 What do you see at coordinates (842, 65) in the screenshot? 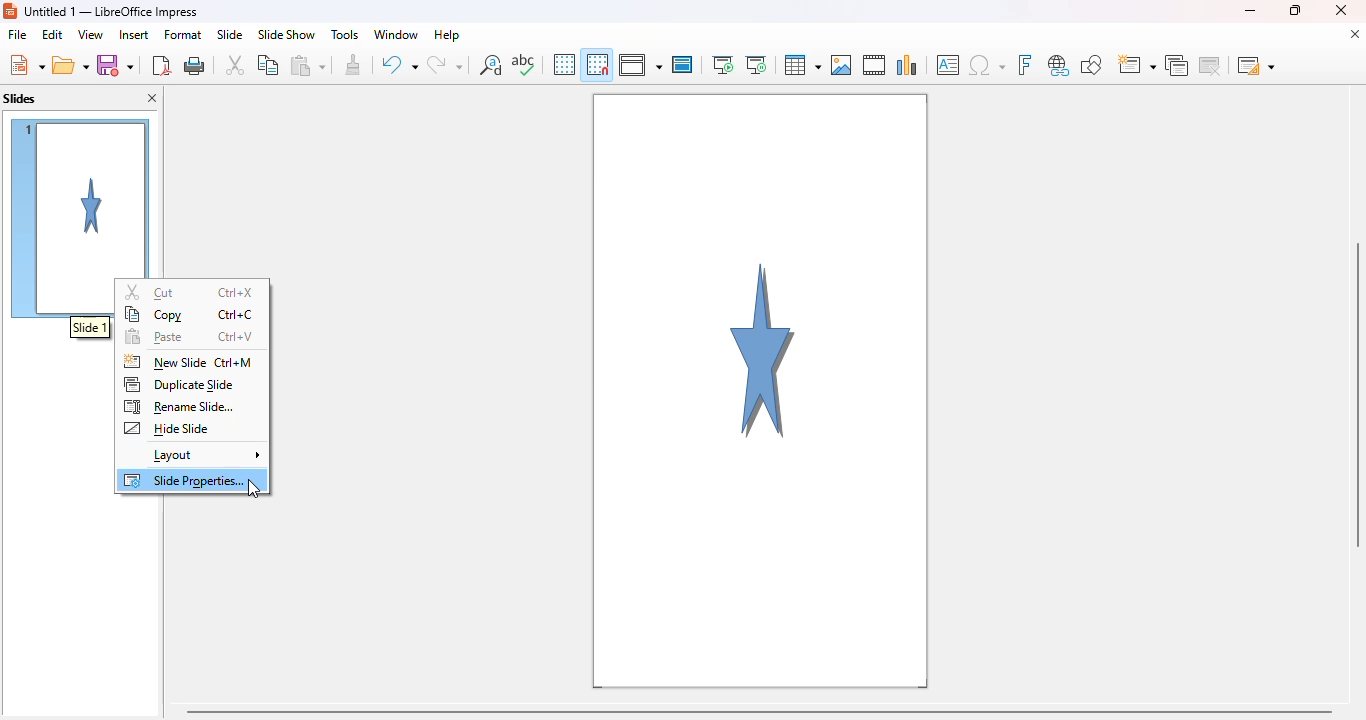
I see `insert image` at bounding box center [842, 65].